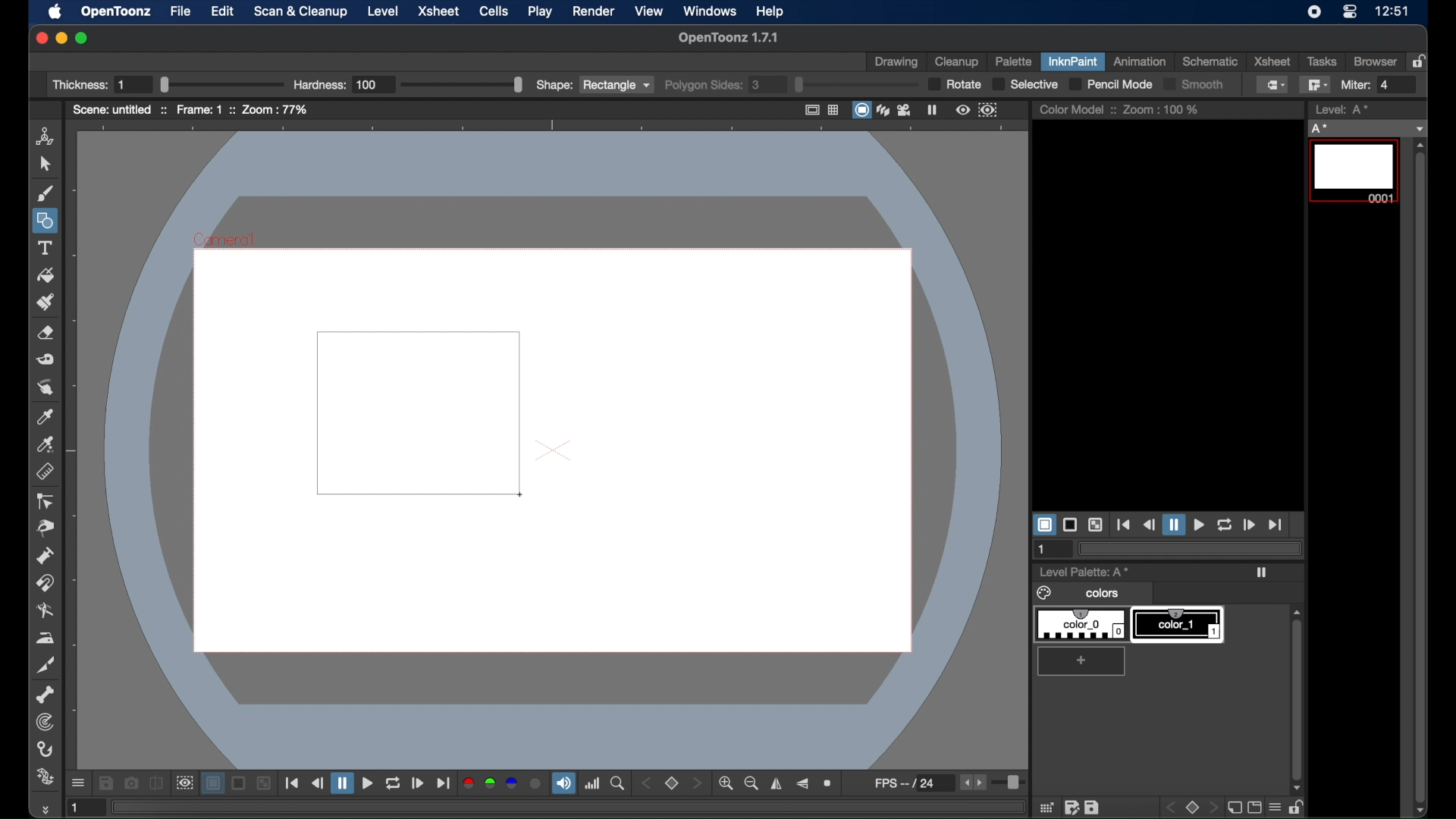  Describe the element at coordinates (1350, 12) in the screenshot. I see `control center` at that location.